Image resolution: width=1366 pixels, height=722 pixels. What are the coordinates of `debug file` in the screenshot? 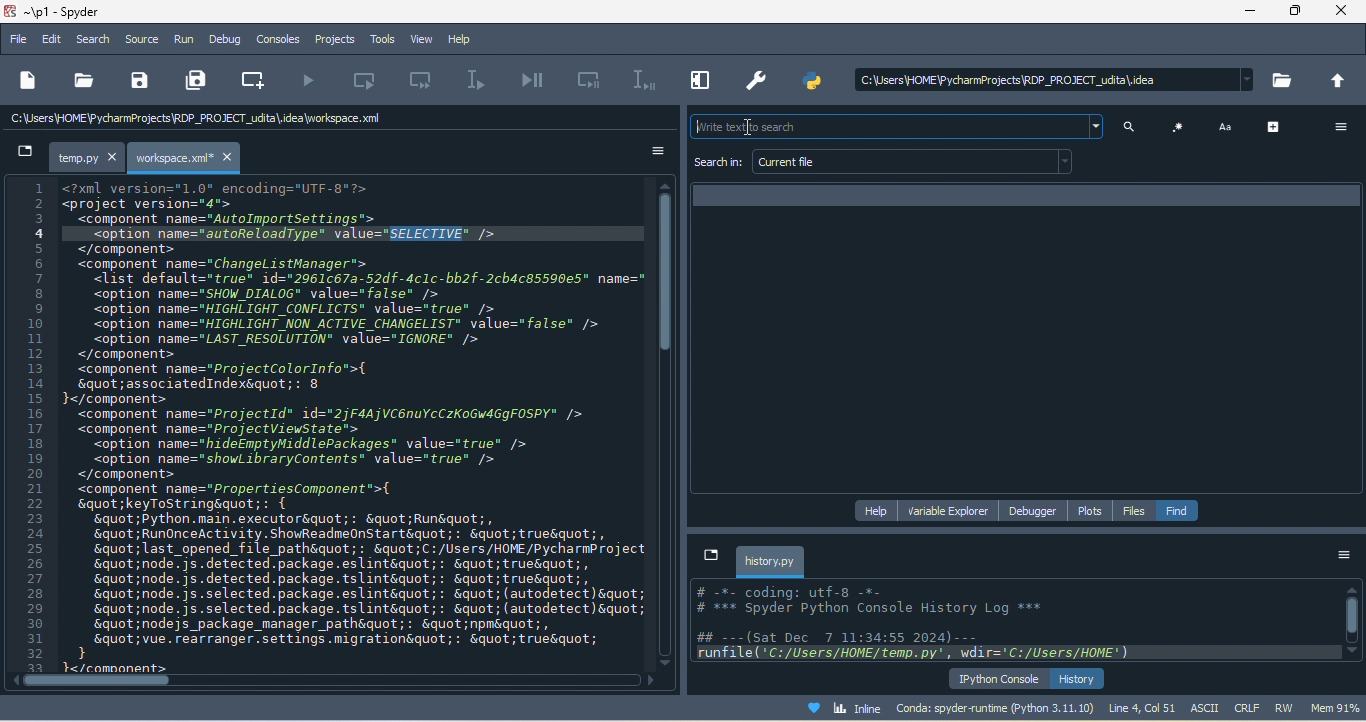 It's located at (534, 81).